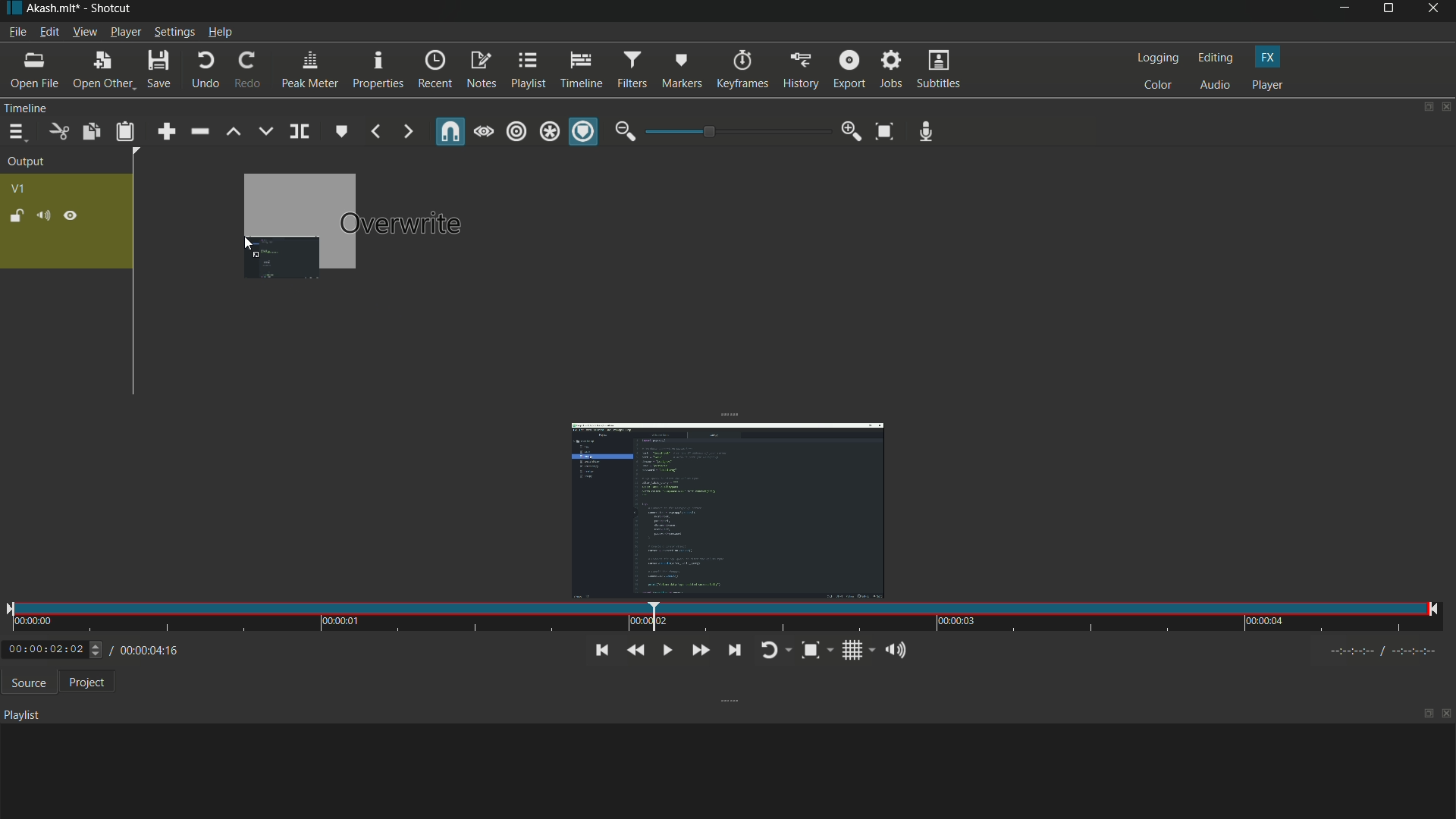 The height and width of the screenshot is (819, 1456). Describe the element at coordinates (17, 32) in the screenshot. I see `file menu` at that location.